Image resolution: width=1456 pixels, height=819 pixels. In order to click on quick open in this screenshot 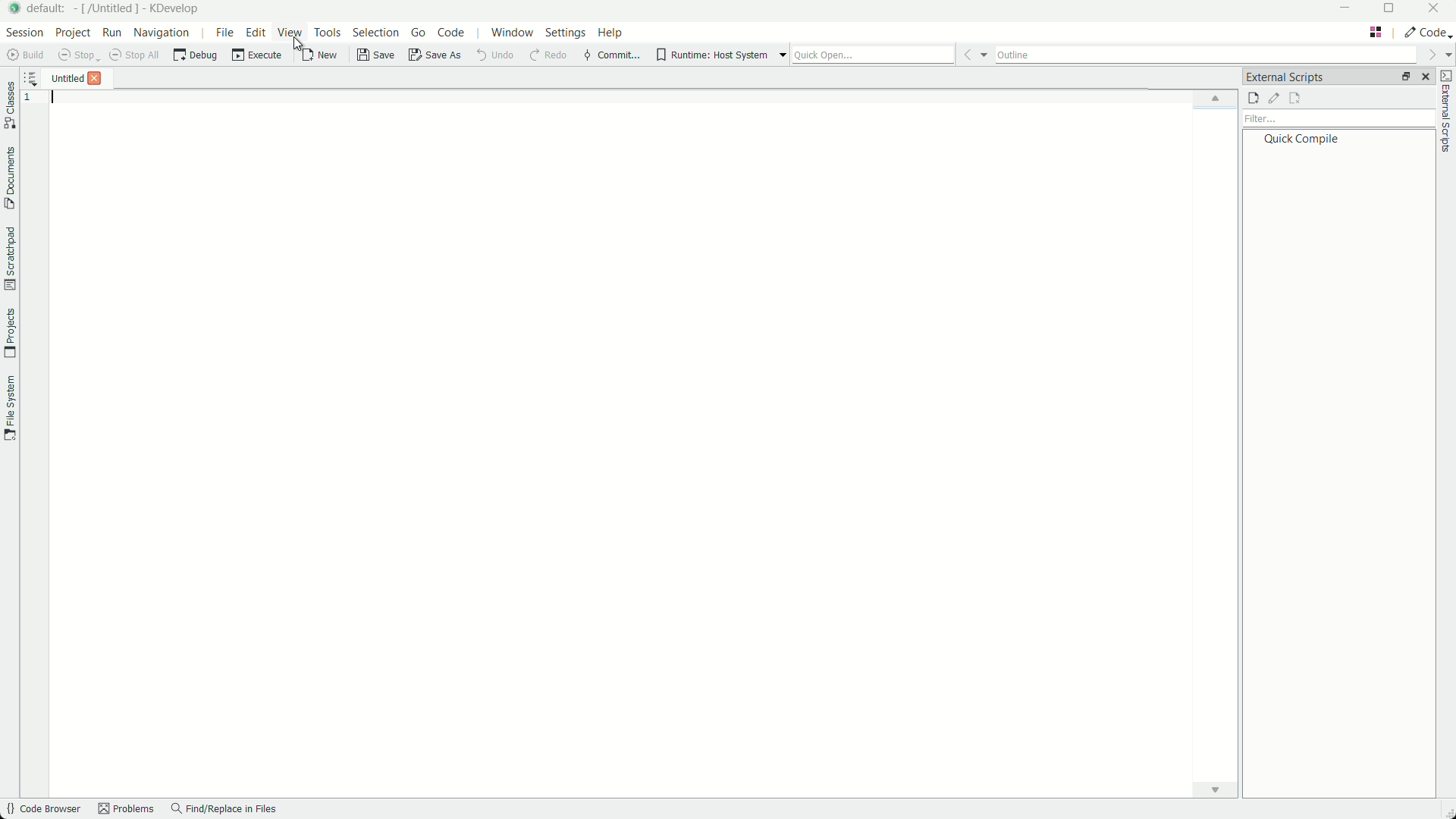, I will do `click(890, 55)`.